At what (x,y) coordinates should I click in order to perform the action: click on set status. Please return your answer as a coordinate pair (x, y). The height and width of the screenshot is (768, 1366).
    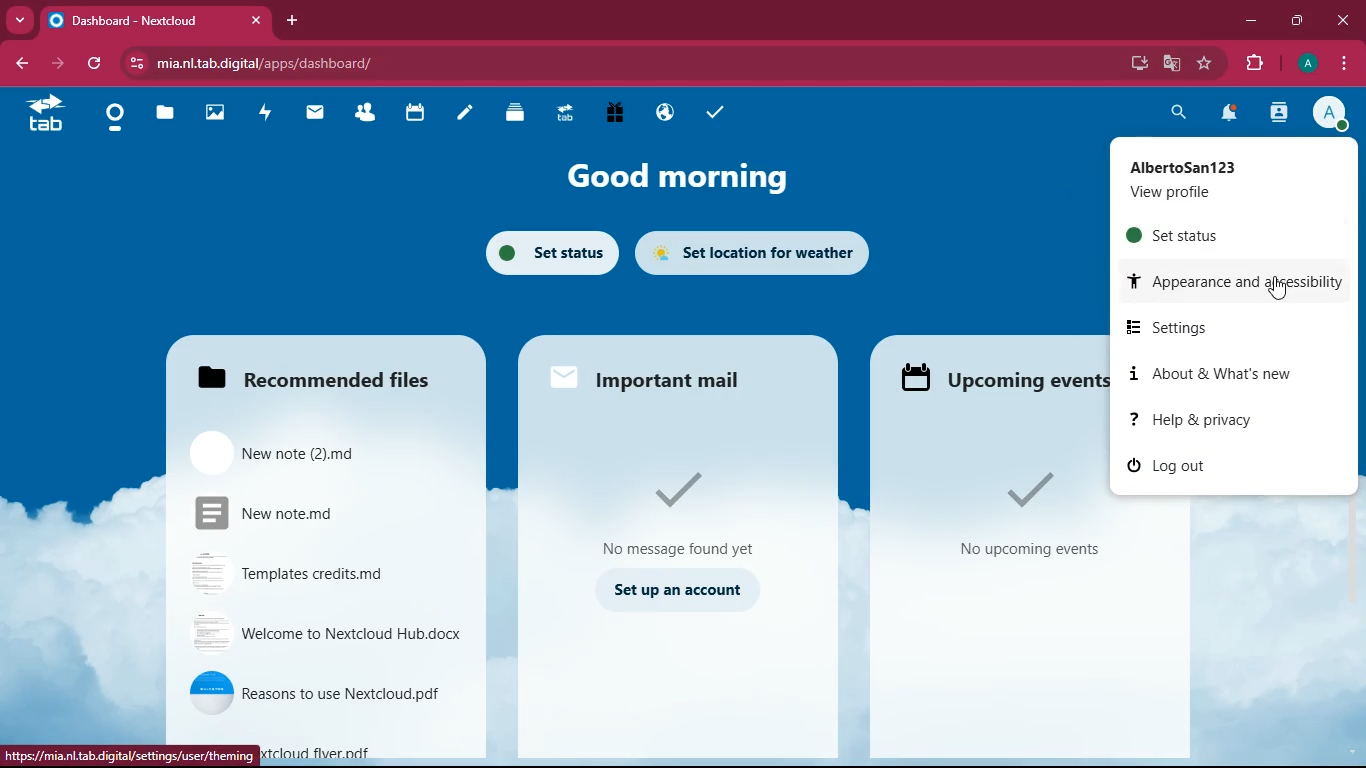
    Looking at the image, I should click on (1214, 234).